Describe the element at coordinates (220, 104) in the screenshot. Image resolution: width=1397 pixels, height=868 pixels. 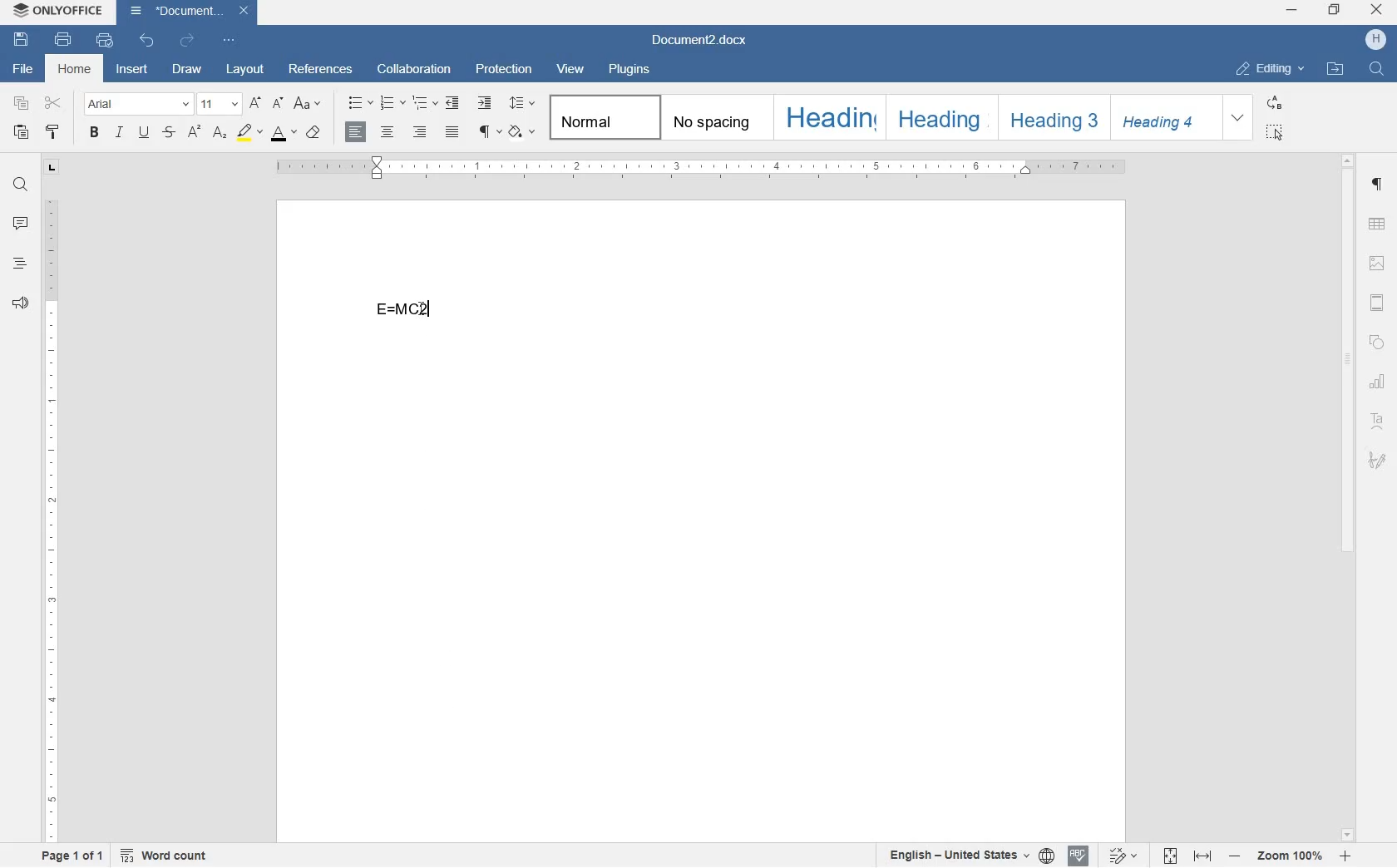
I see `font size` at that location.